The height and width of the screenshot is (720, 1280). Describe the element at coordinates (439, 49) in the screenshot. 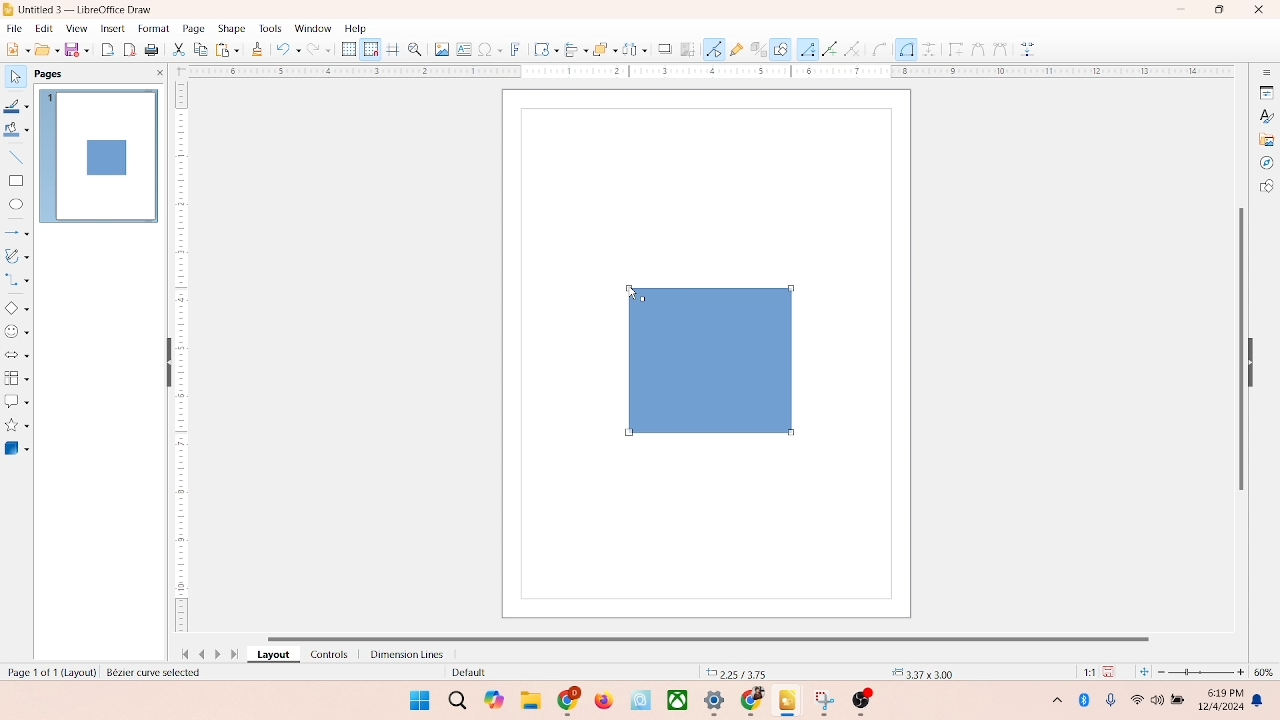

I see `image` at that location.